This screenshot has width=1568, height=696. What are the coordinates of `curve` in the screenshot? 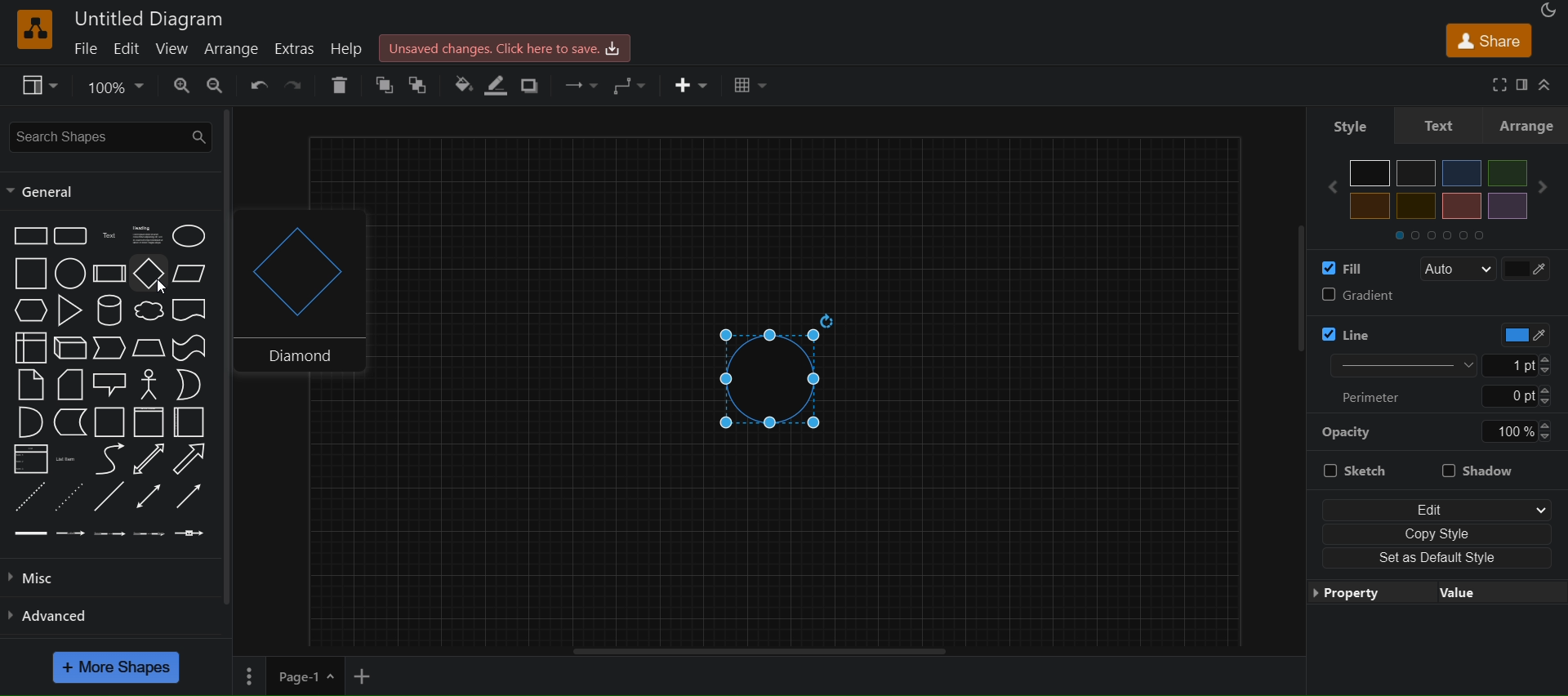 It's located at (109, 461).